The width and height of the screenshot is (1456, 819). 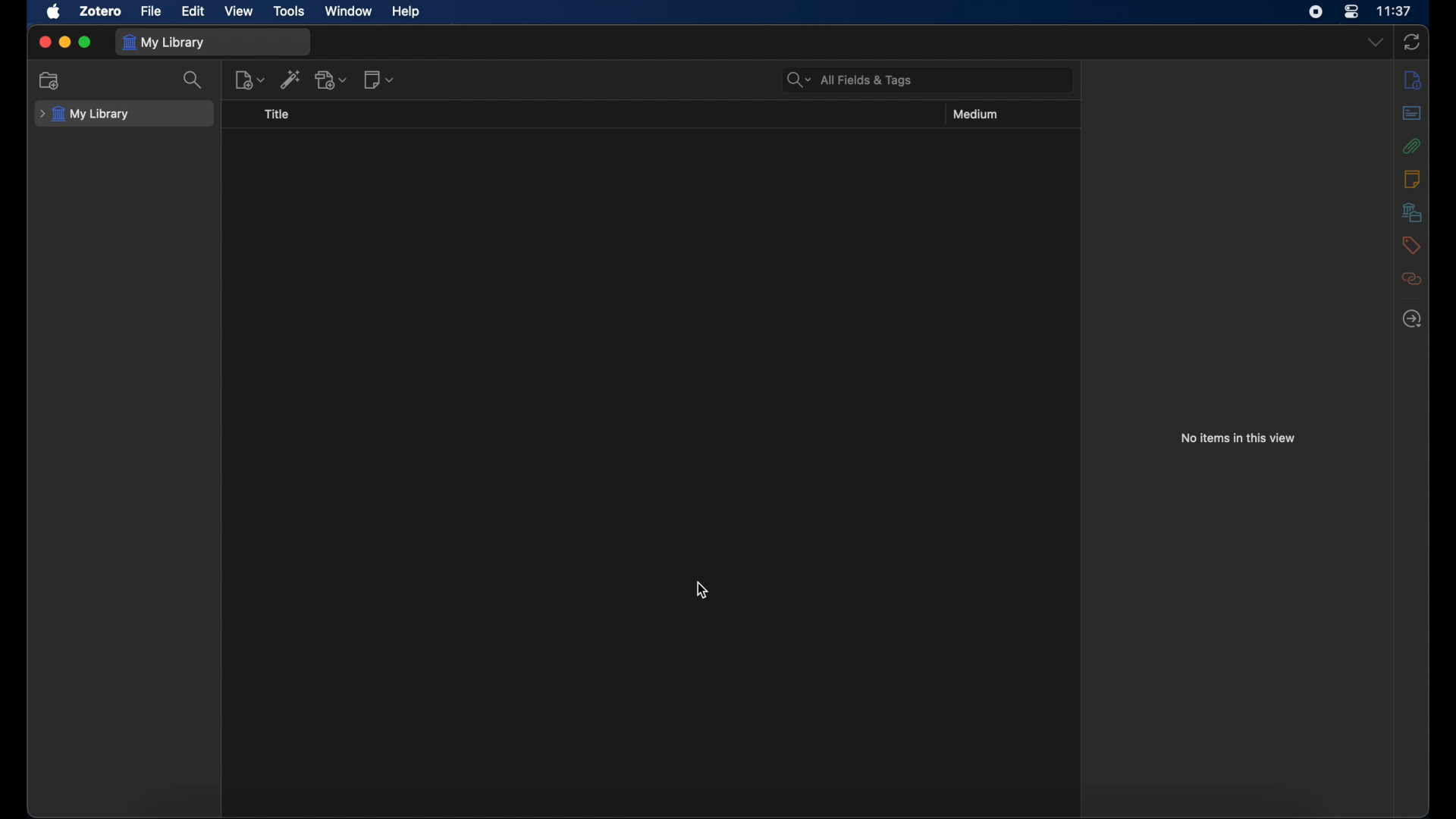 I want to click on new notes, so click(x=379, y=79).